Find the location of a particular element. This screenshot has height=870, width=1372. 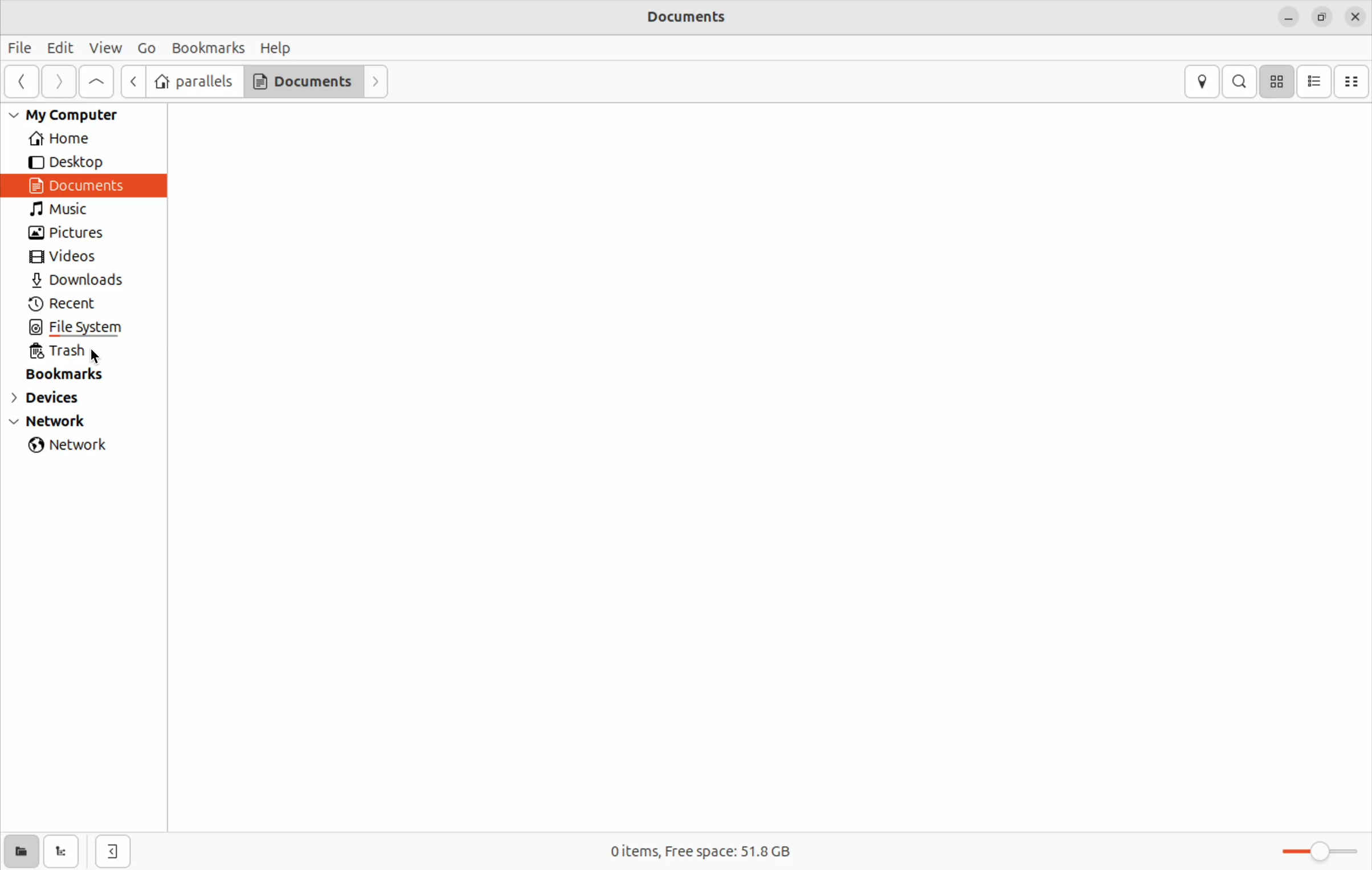

bookmark is located at coordinates (206, 47).